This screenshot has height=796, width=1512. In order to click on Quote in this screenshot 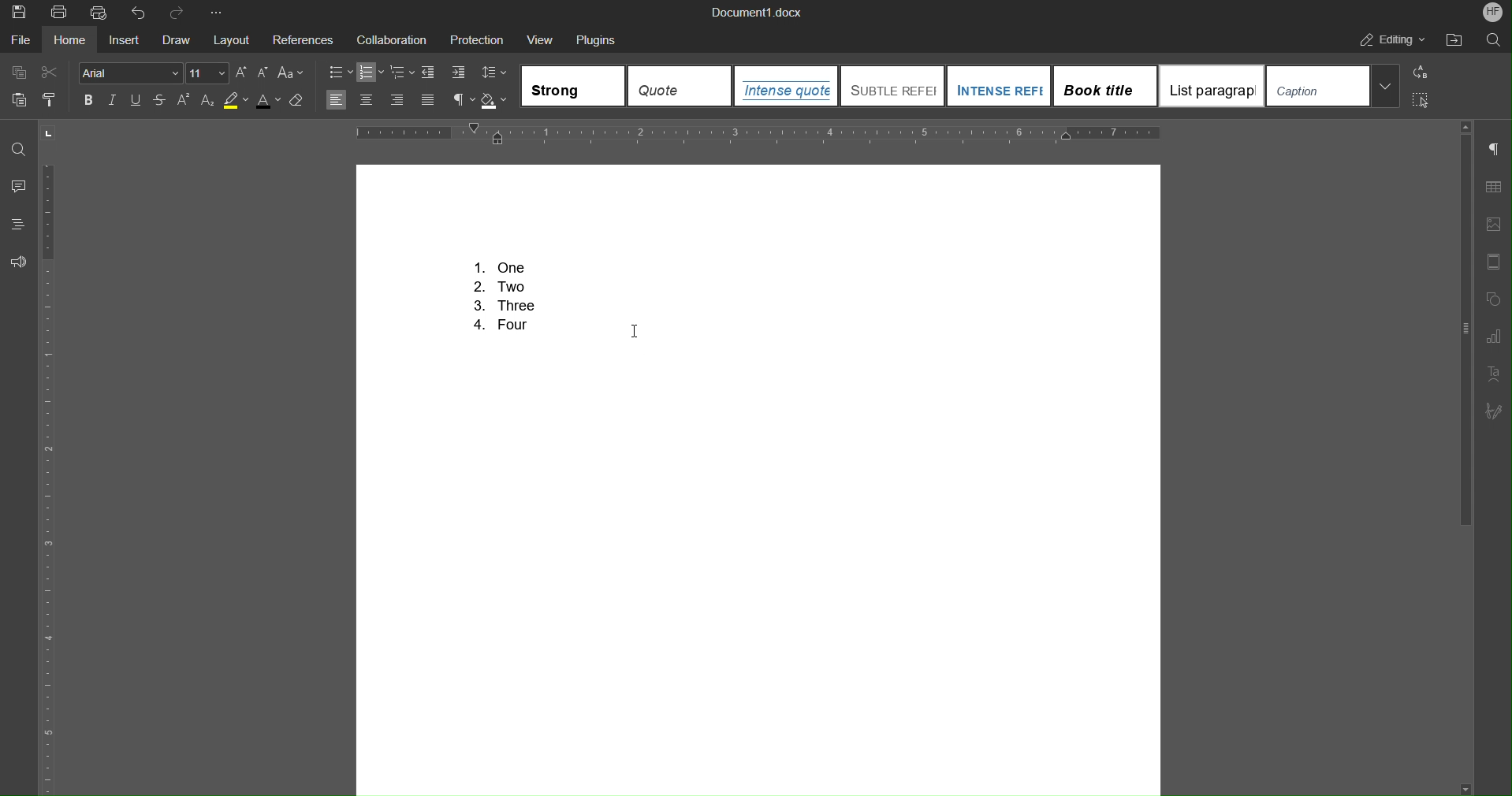, I will do `click(680, 87)`.